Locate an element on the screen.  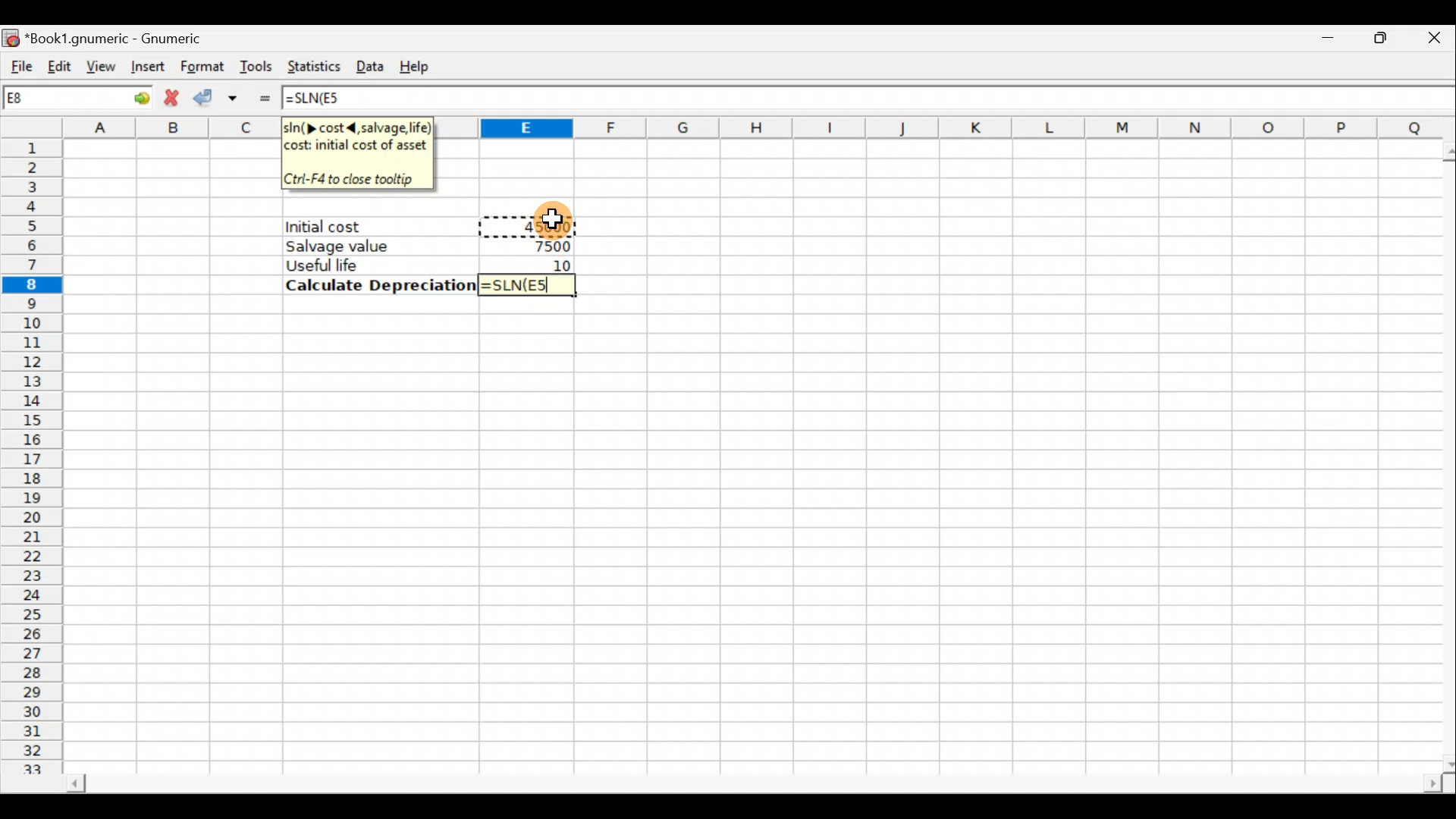
Formula bar is located at coordinates (918, 99).